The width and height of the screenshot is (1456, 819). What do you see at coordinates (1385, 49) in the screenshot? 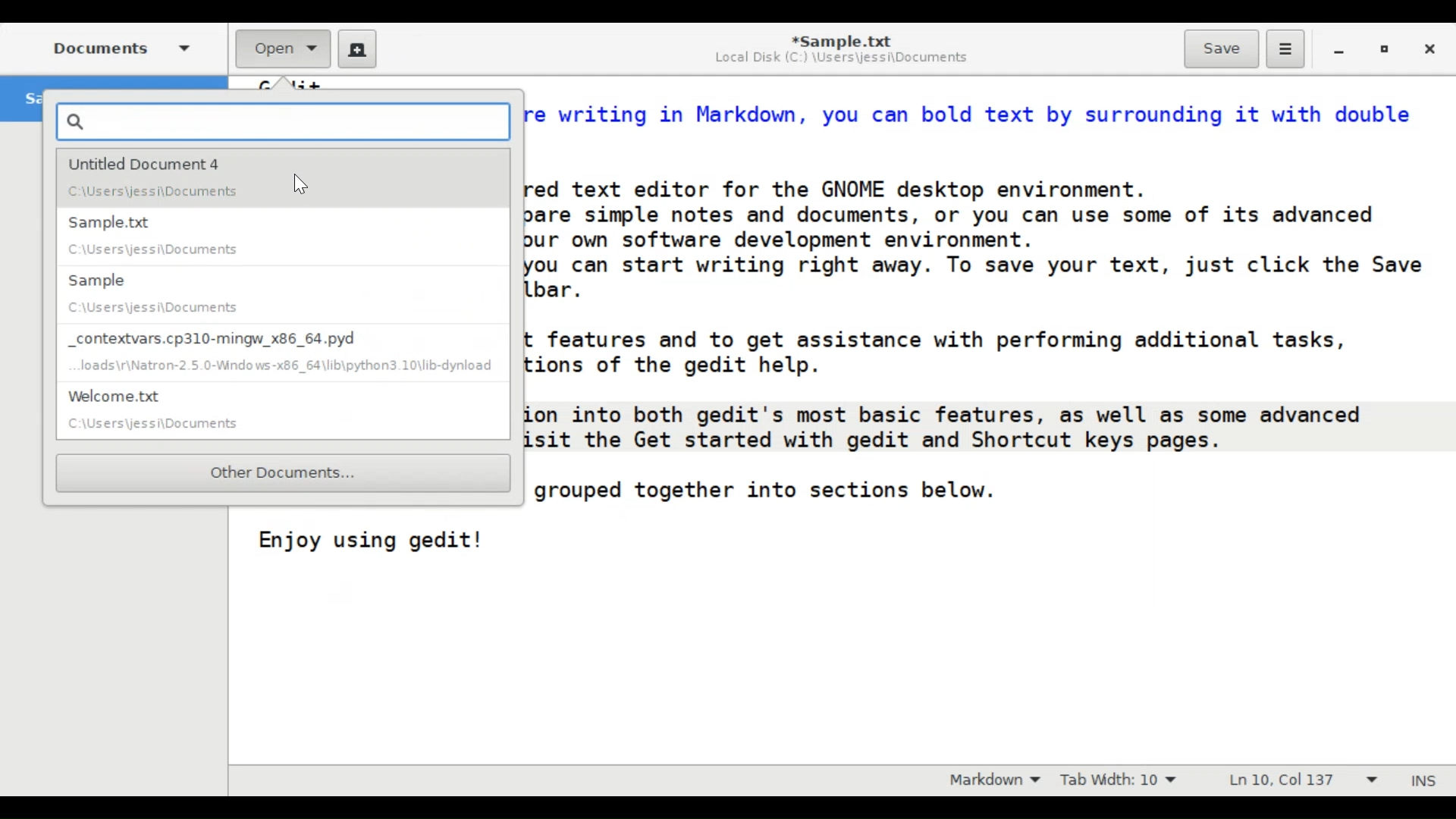
I see `Restore` at bounding box center [1385, 49].